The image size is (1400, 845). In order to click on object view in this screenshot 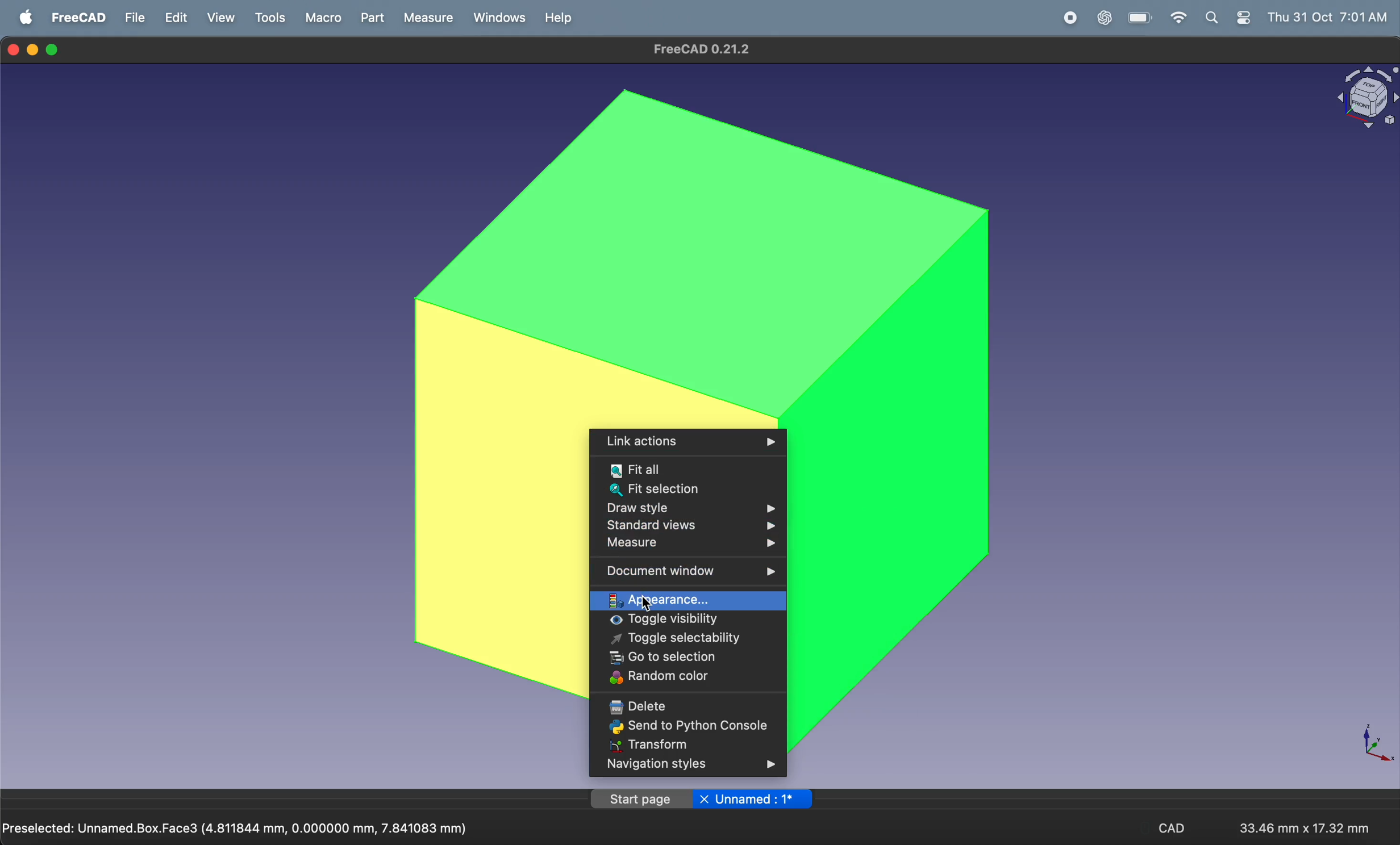, I will do `click(1364, 99)`.